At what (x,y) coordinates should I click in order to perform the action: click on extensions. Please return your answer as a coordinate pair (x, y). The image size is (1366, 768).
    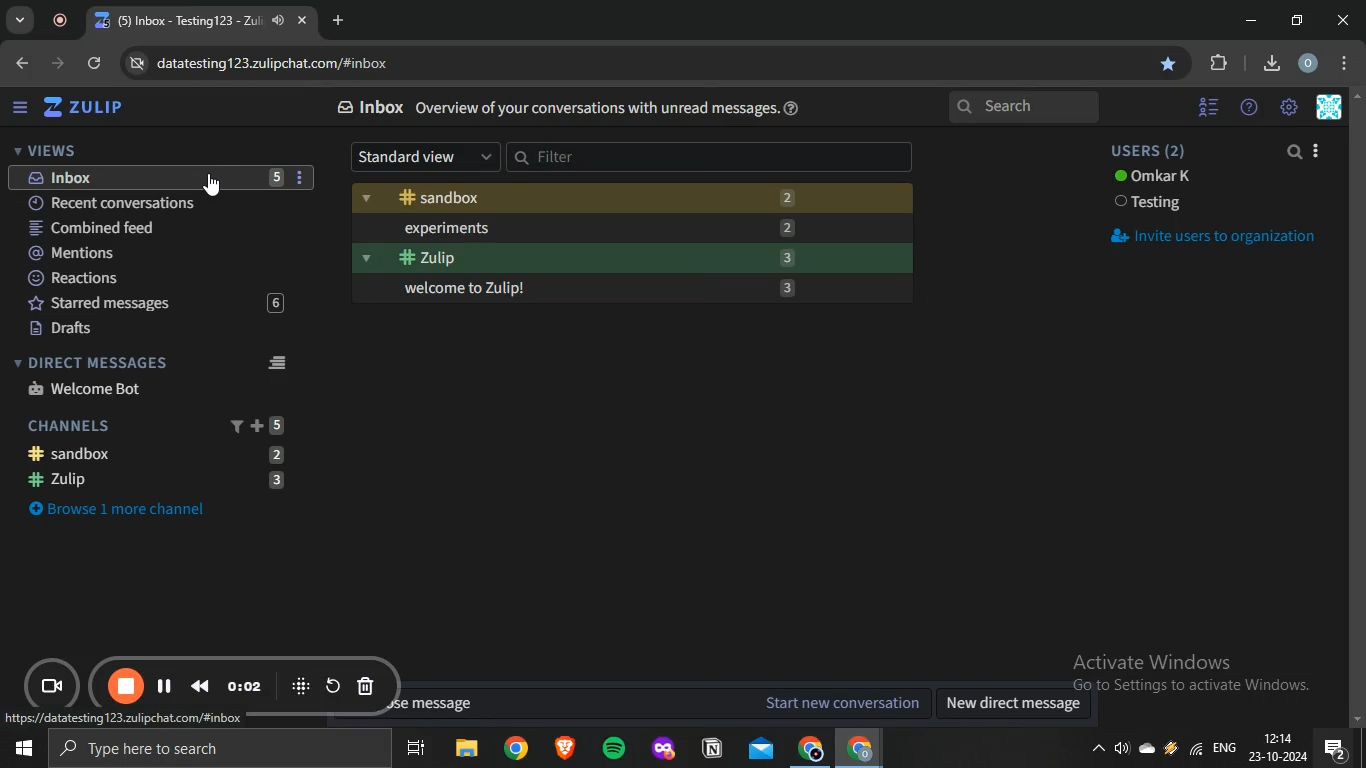
    Looking at the image, I should click on (1220, 63).